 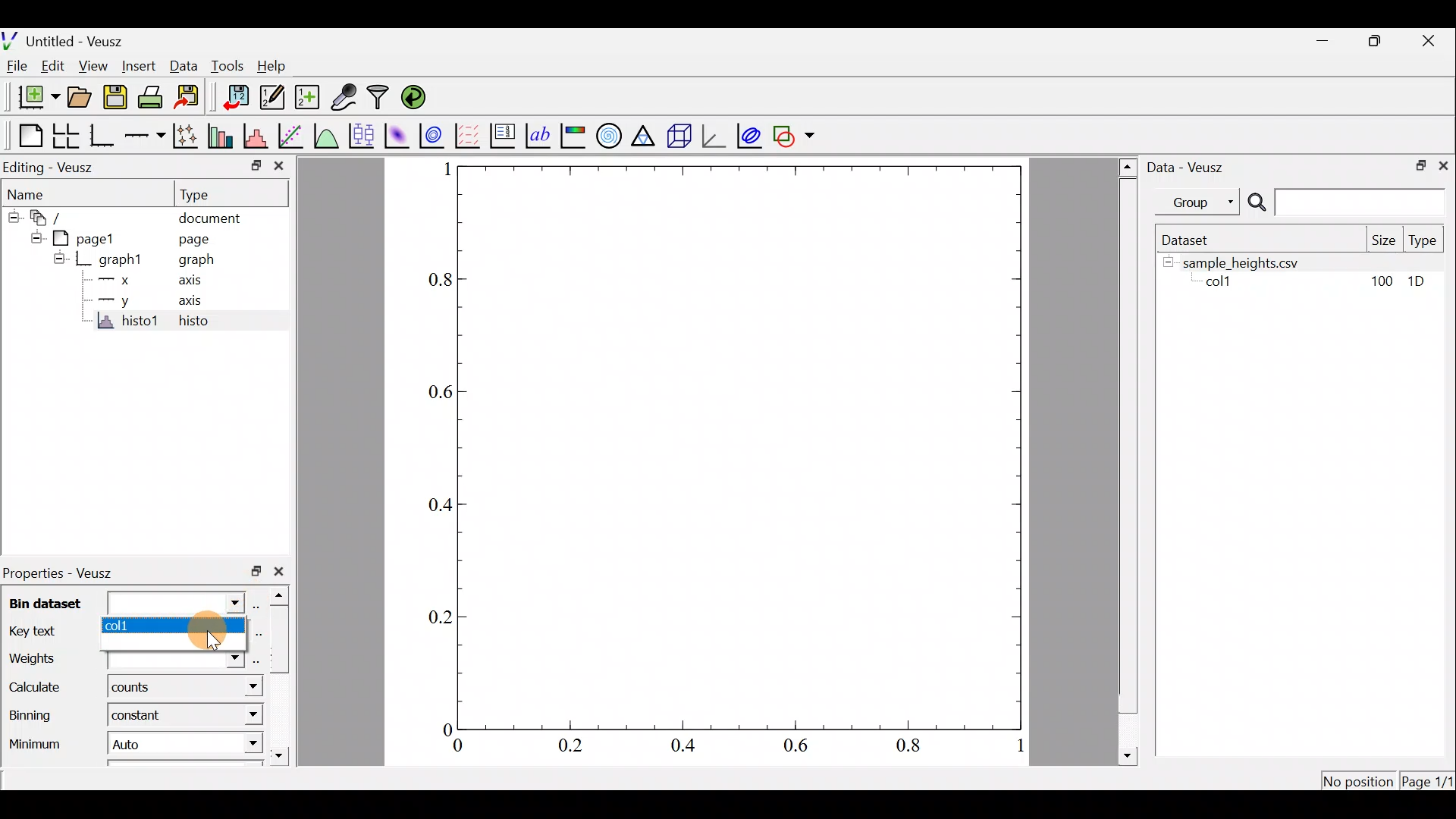 What do you see at coordinates (1418, 284) in the screenshot?
I see `1D` at bounding box center [1418, 284].